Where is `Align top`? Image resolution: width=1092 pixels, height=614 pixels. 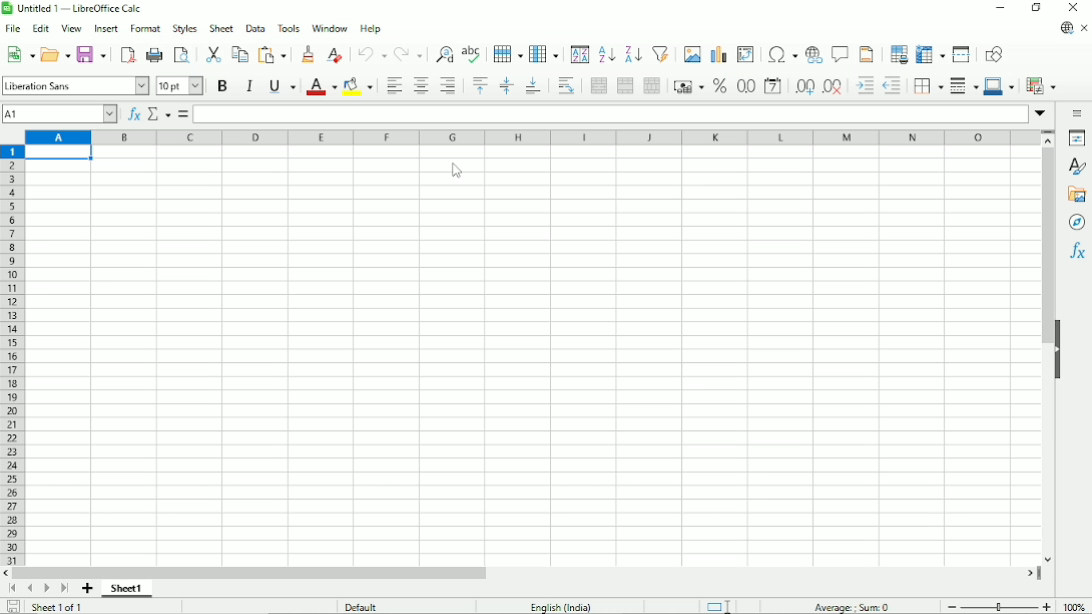
Align top is located at coordinates (480, 86).